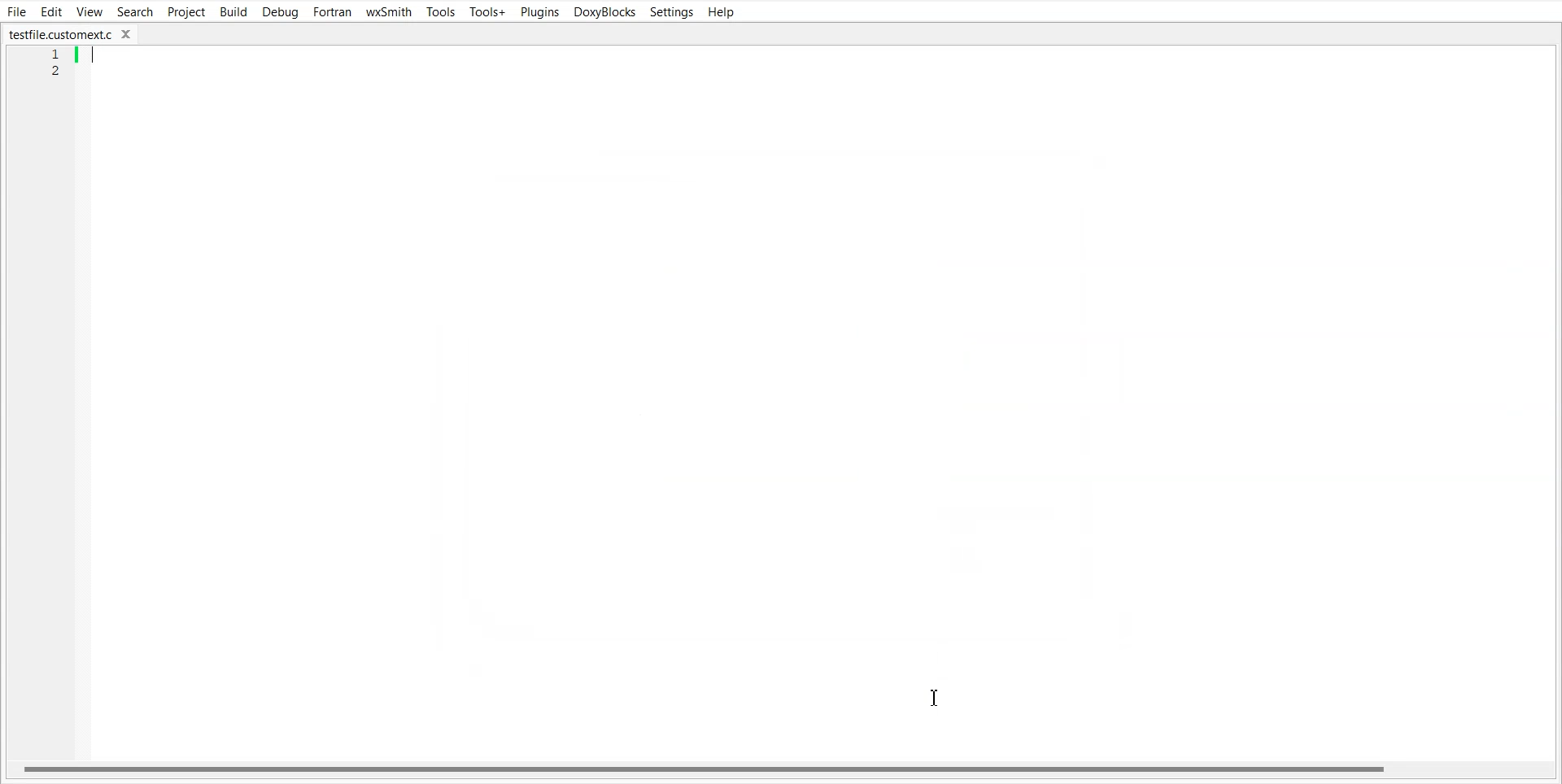  I want to click on Edit, so click(52, 11).